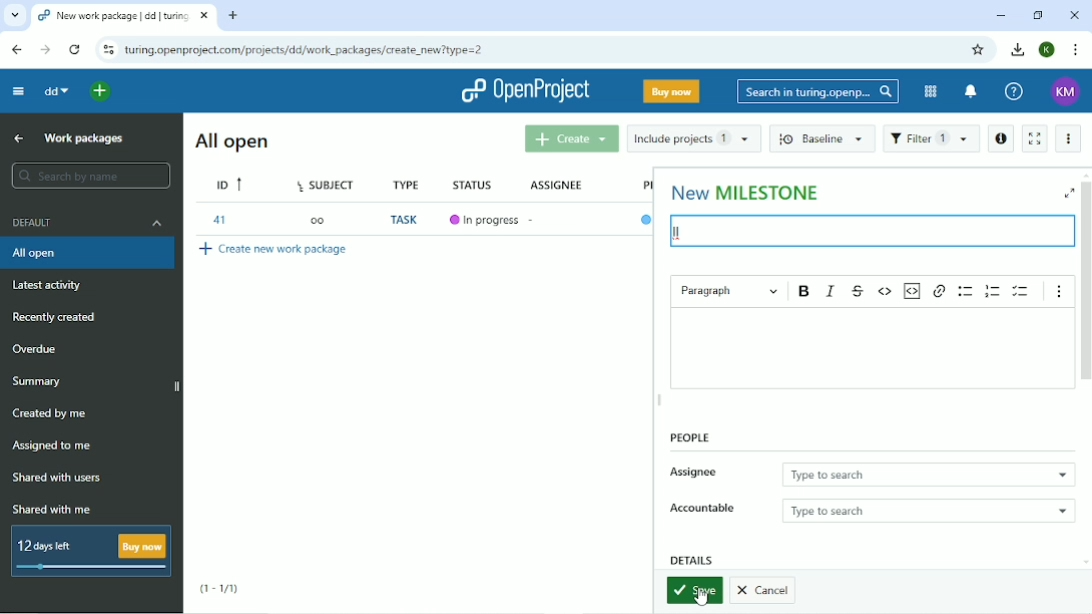 The width and height of the screenshot is (1092, 614). Describe the element at coordinates (1059, 291) in the screenshot. I see `Show more items` at that location.